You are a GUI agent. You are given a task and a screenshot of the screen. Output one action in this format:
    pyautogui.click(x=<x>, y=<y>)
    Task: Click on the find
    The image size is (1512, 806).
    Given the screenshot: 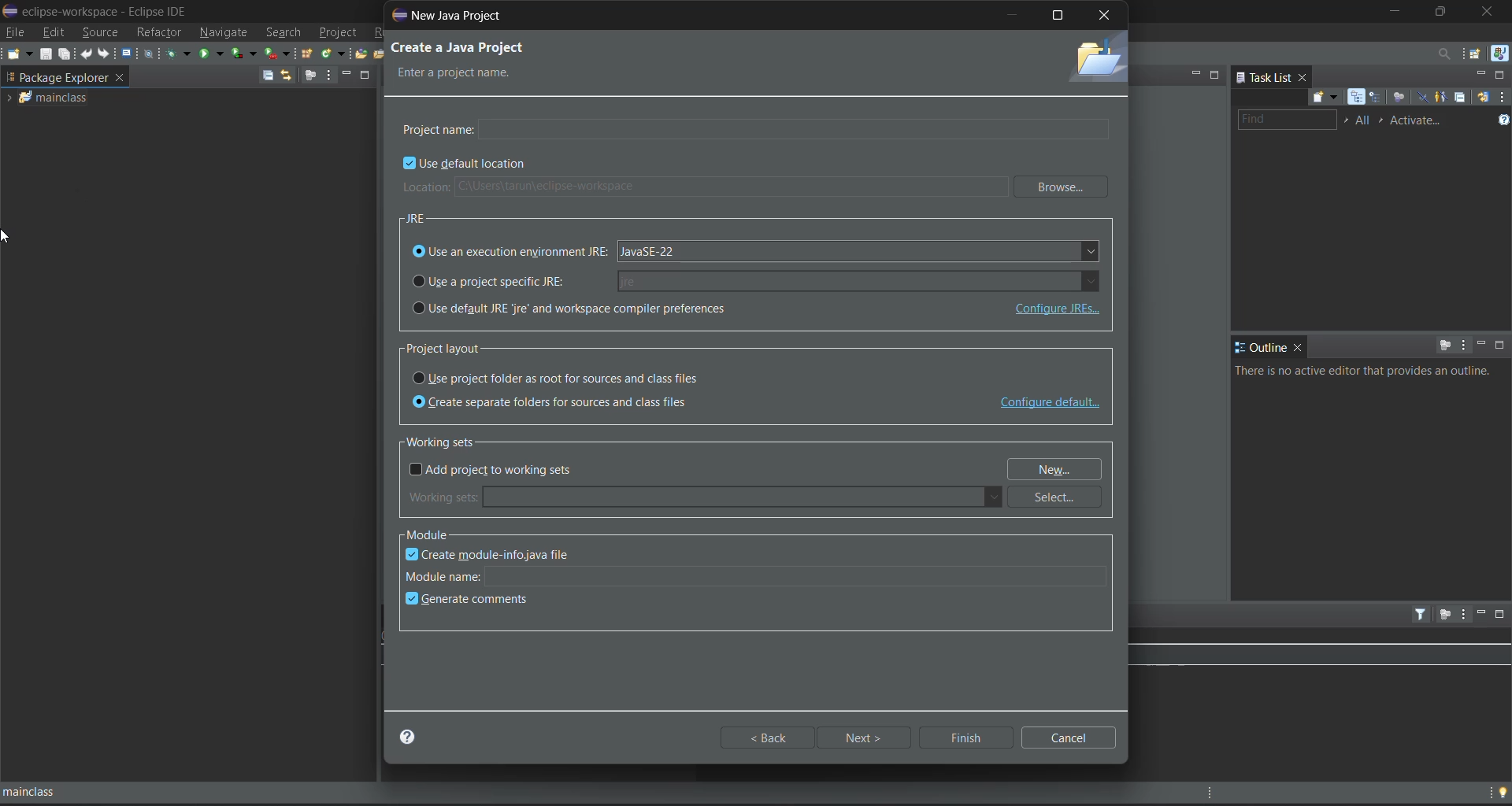 What is the action you would take?
    pyautogui.click(x=1287, y=120)
    